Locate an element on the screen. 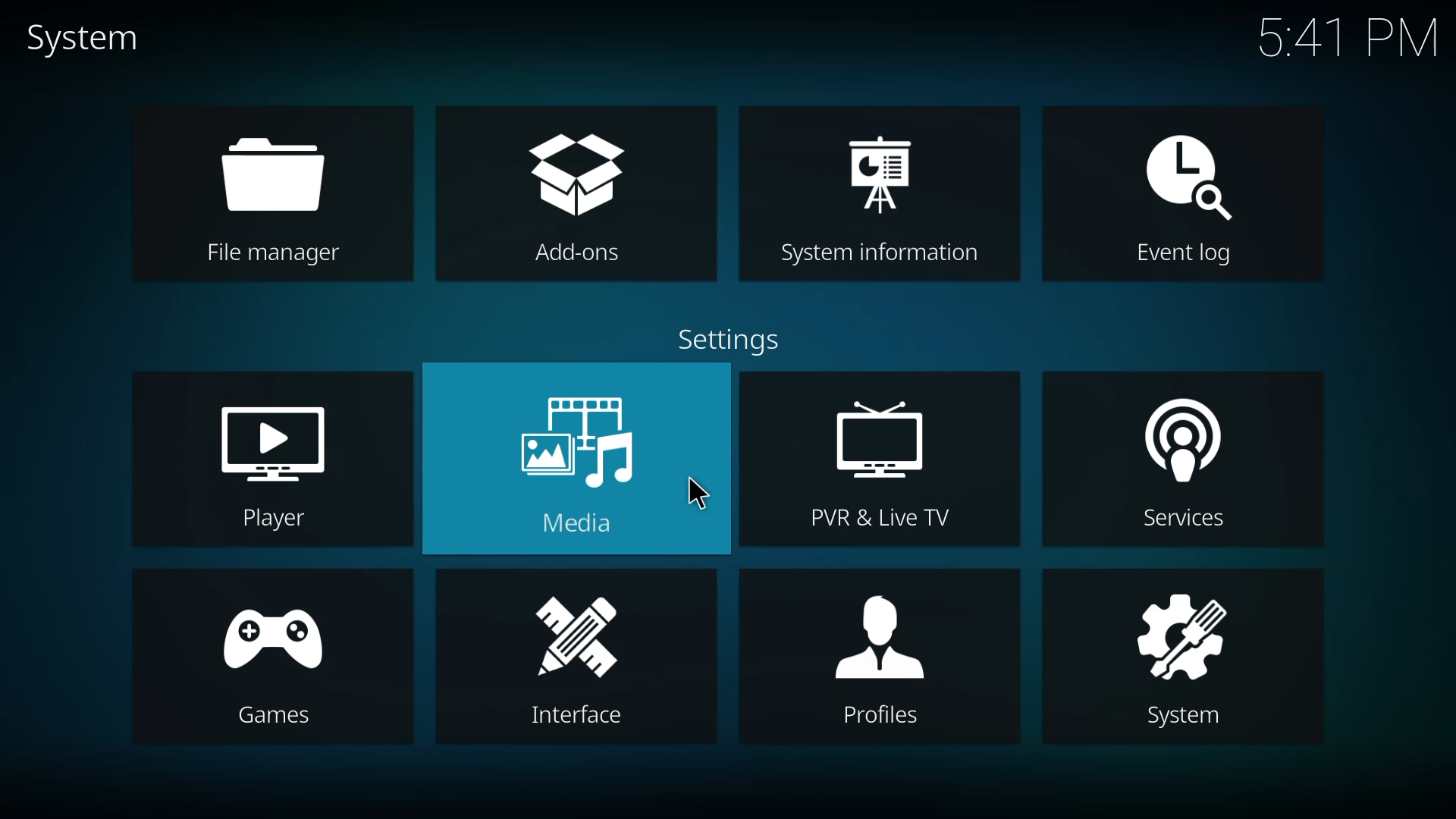  media is located at coordinates (579, 460).